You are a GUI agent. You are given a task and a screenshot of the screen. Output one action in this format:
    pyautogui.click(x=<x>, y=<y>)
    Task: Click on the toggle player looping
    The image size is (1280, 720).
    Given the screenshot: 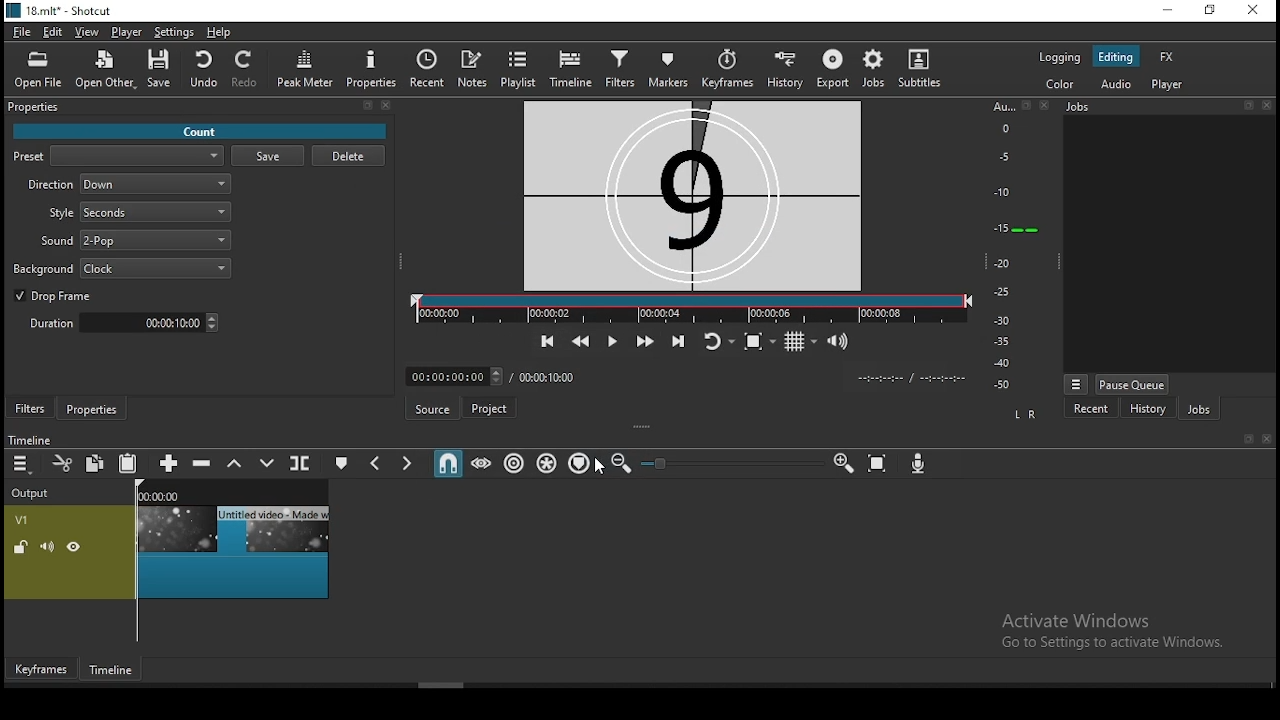 What is the action you would take?
    pyautogui.click(x=714, y=340)
    